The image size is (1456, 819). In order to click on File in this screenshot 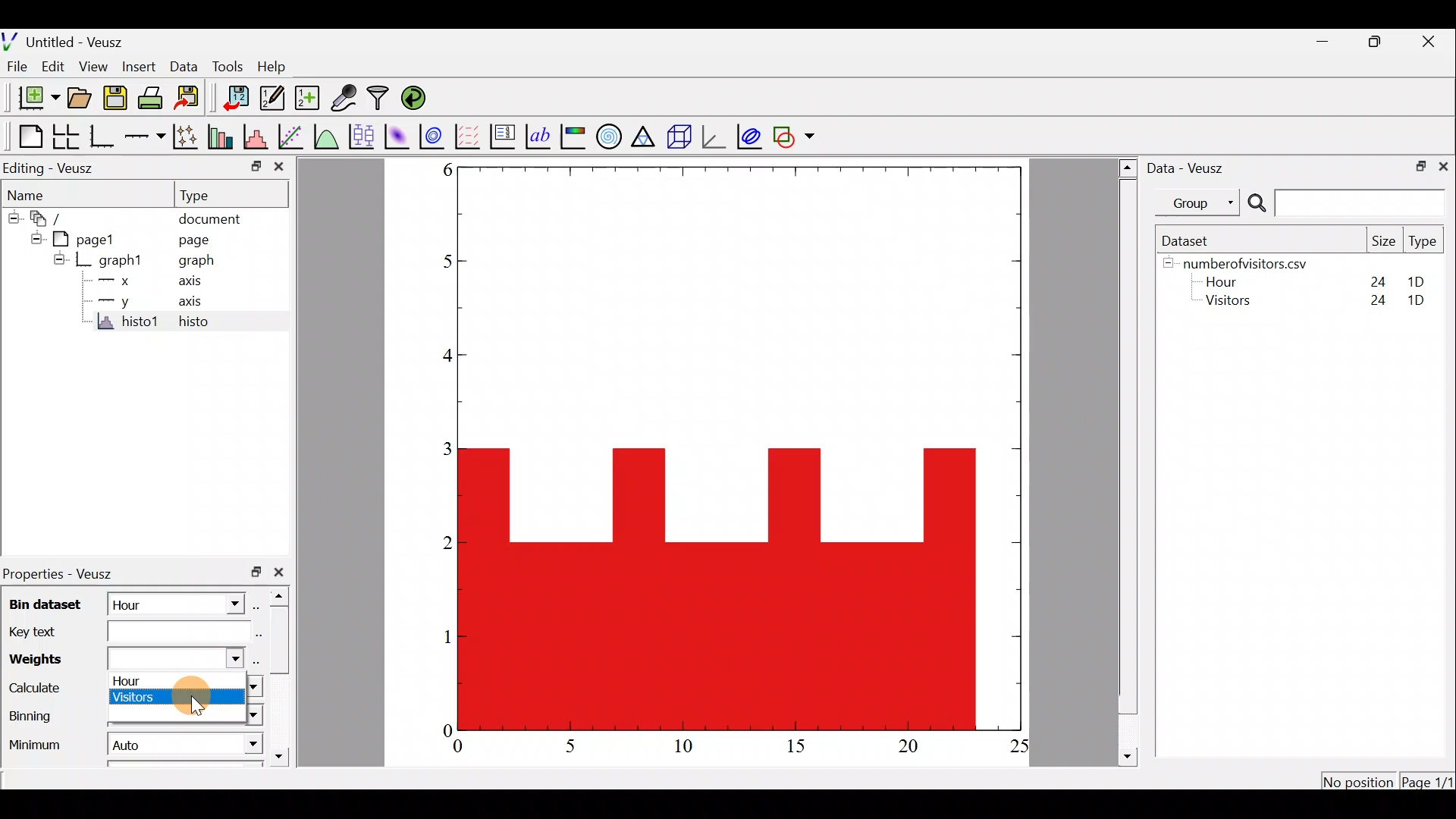, I will do `click(17, 67)`.